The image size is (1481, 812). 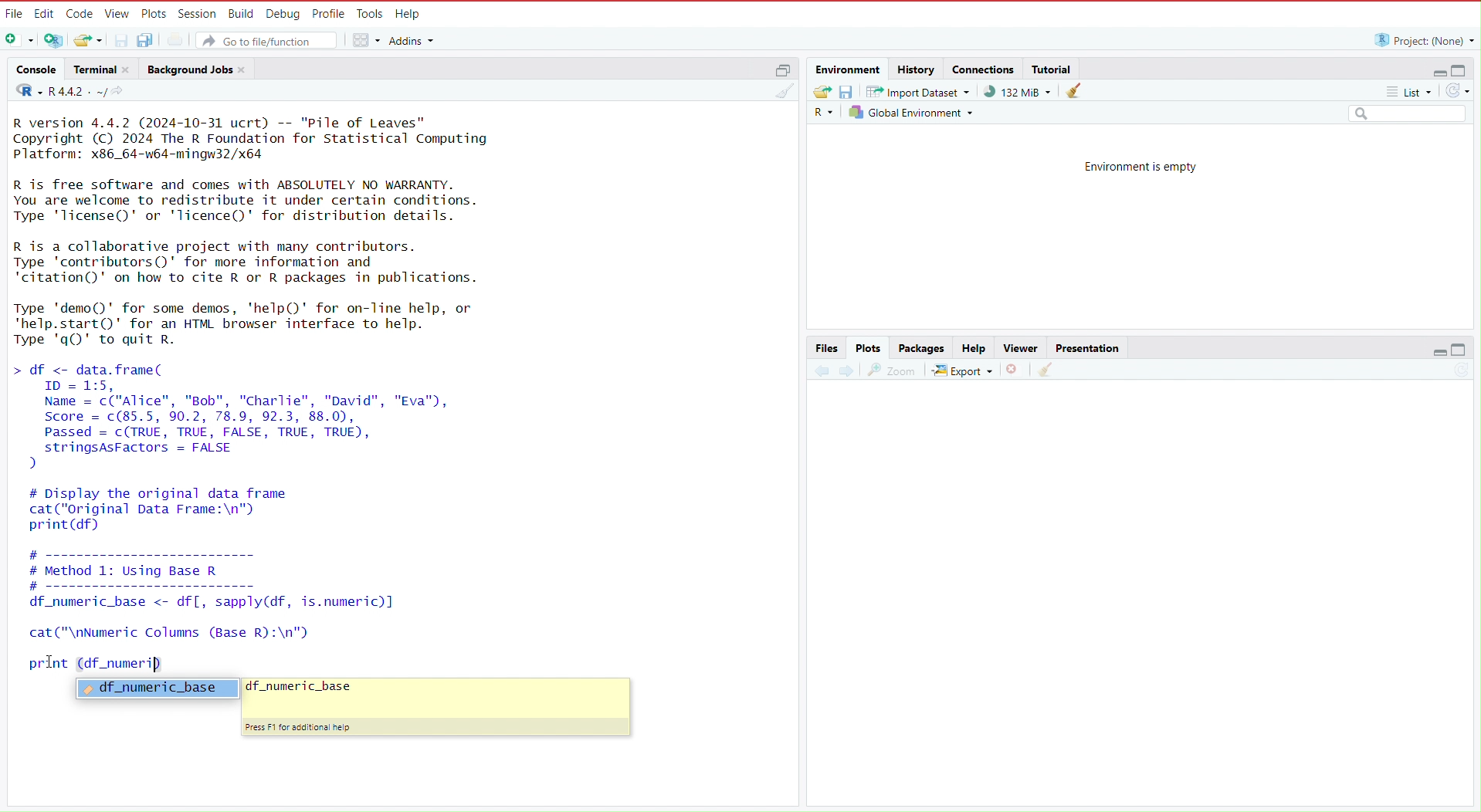 What do you see at coordinates (973, 347) in the screenshot?
I see `Help` at bounding box center [973, 347].